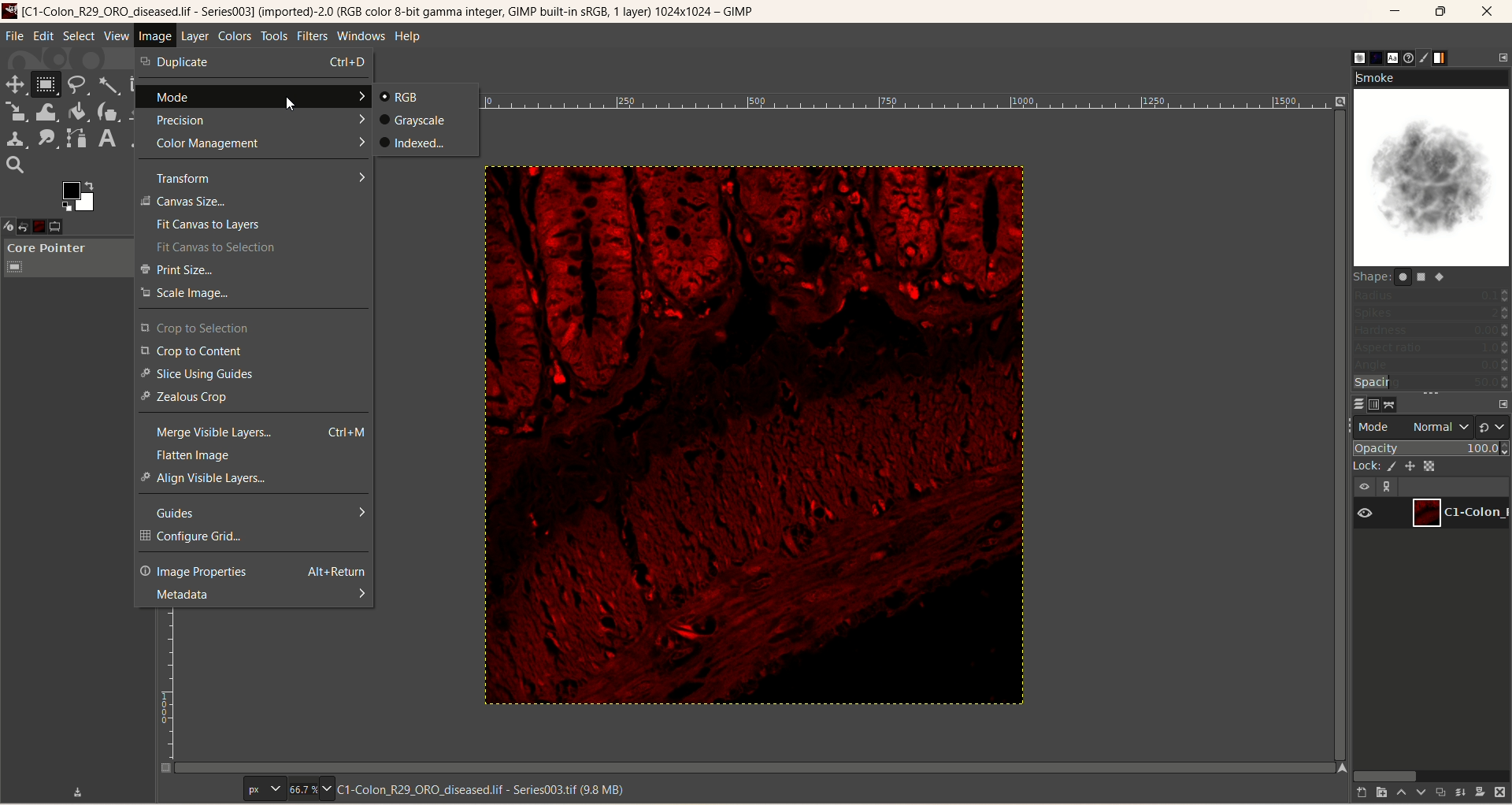 The height and width of the screenshot is (805, 1512). I want to click on crop to content, so click(252, 351).